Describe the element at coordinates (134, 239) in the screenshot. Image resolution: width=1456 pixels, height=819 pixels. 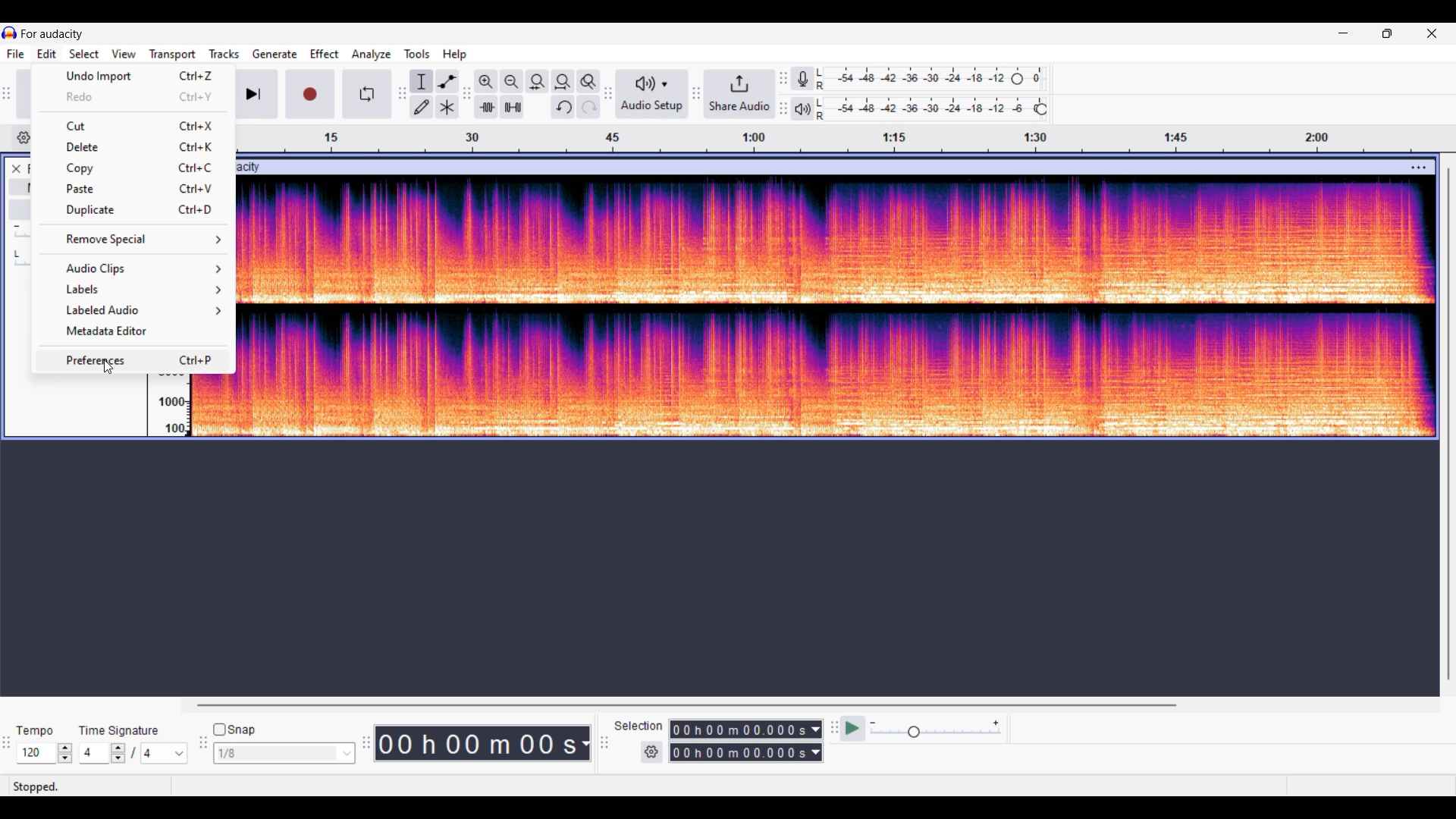
I see `Remove special options` at that location.